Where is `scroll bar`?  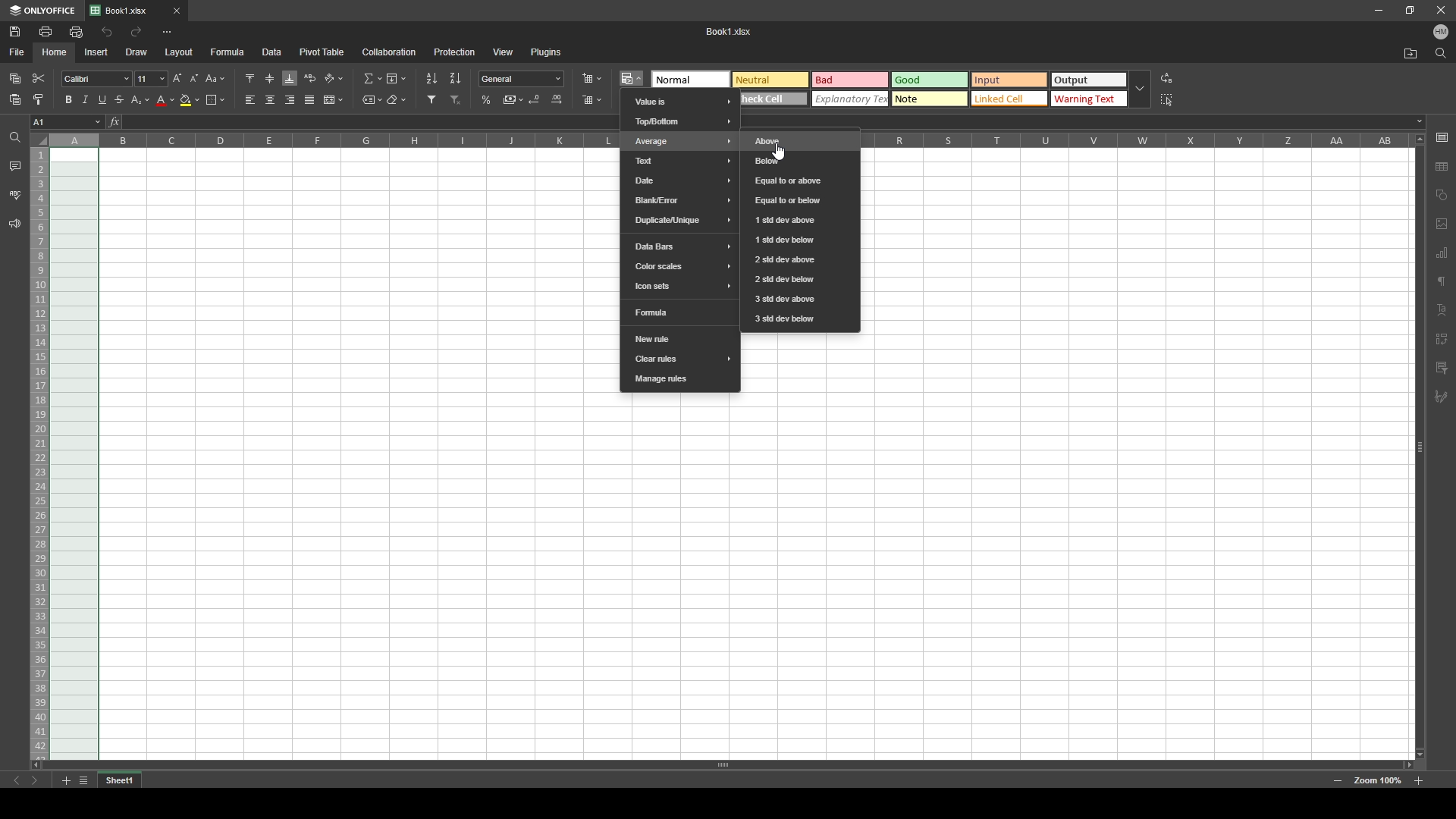 scroll bar is located at coordinates (722, 764).